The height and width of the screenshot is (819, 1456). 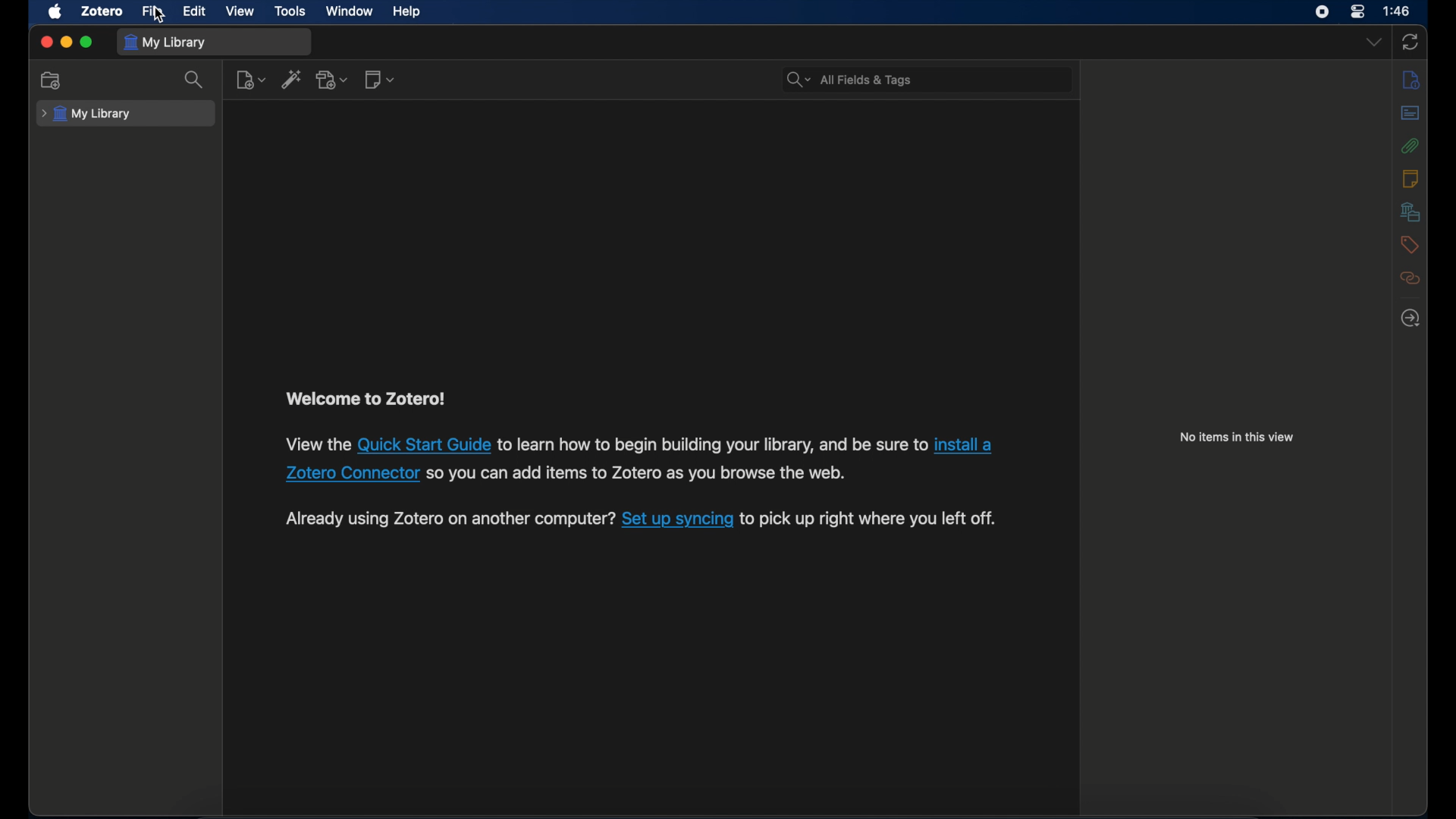 What do you see at coordinates (379, 79) in the screenshot?
I see `new note` at bounding box center [379, 79].